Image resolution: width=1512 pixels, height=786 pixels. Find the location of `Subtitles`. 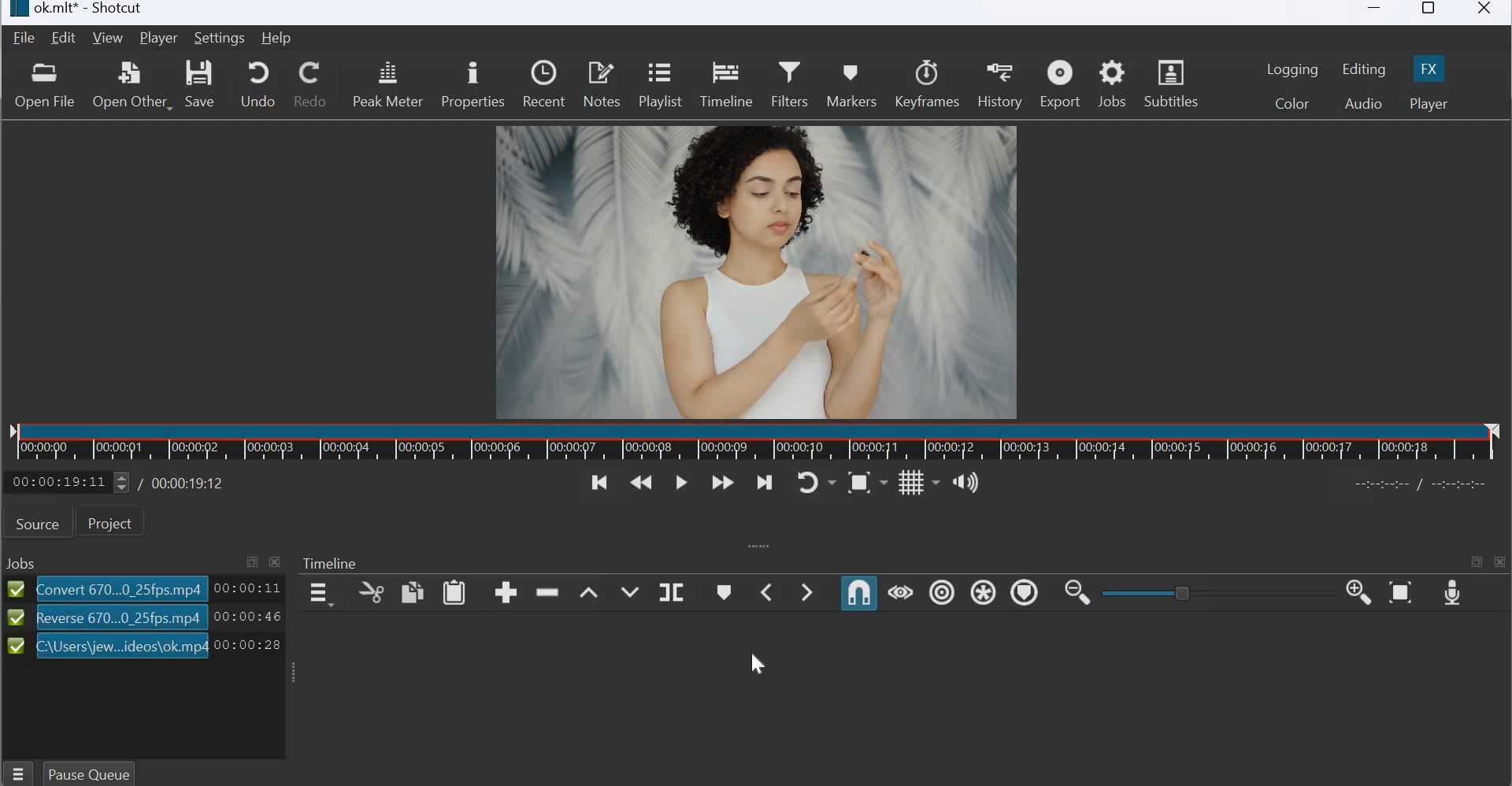

Subtitles is located at coordinates (1176, 82).